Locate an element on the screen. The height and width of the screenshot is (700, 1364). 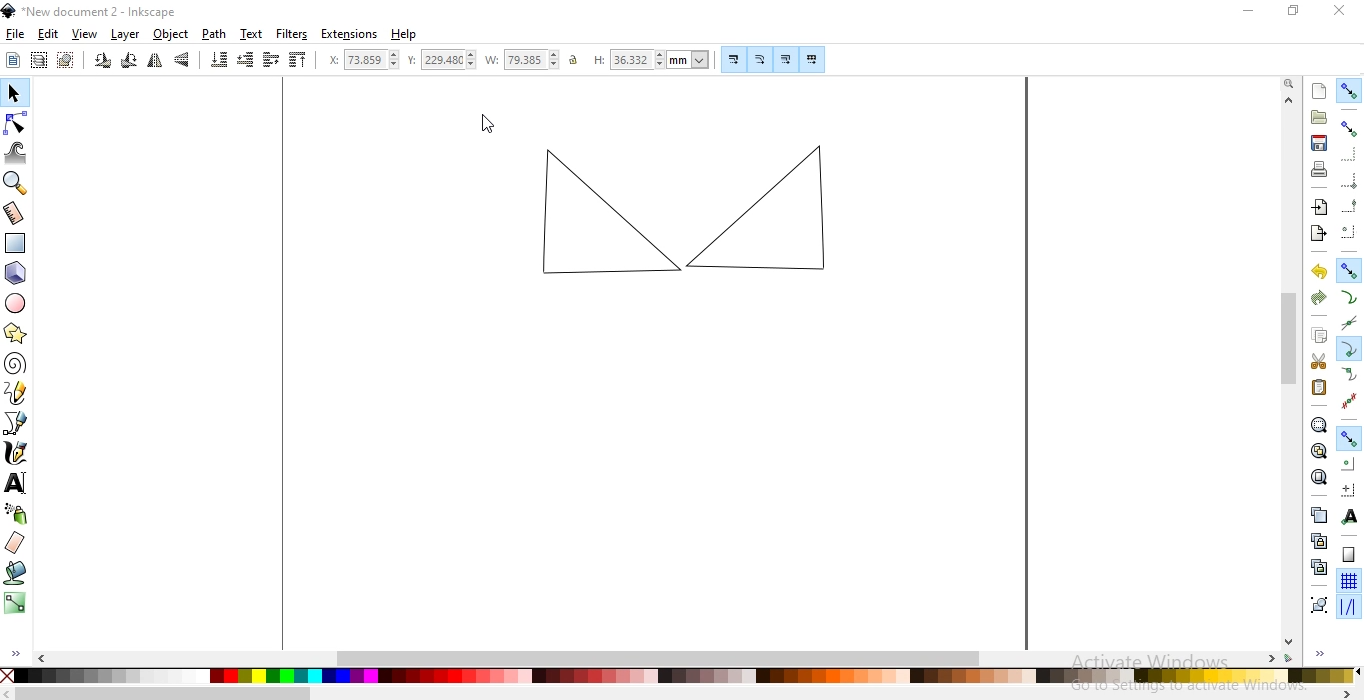
snap bounding box corners is located at coordinates (1349, 180).